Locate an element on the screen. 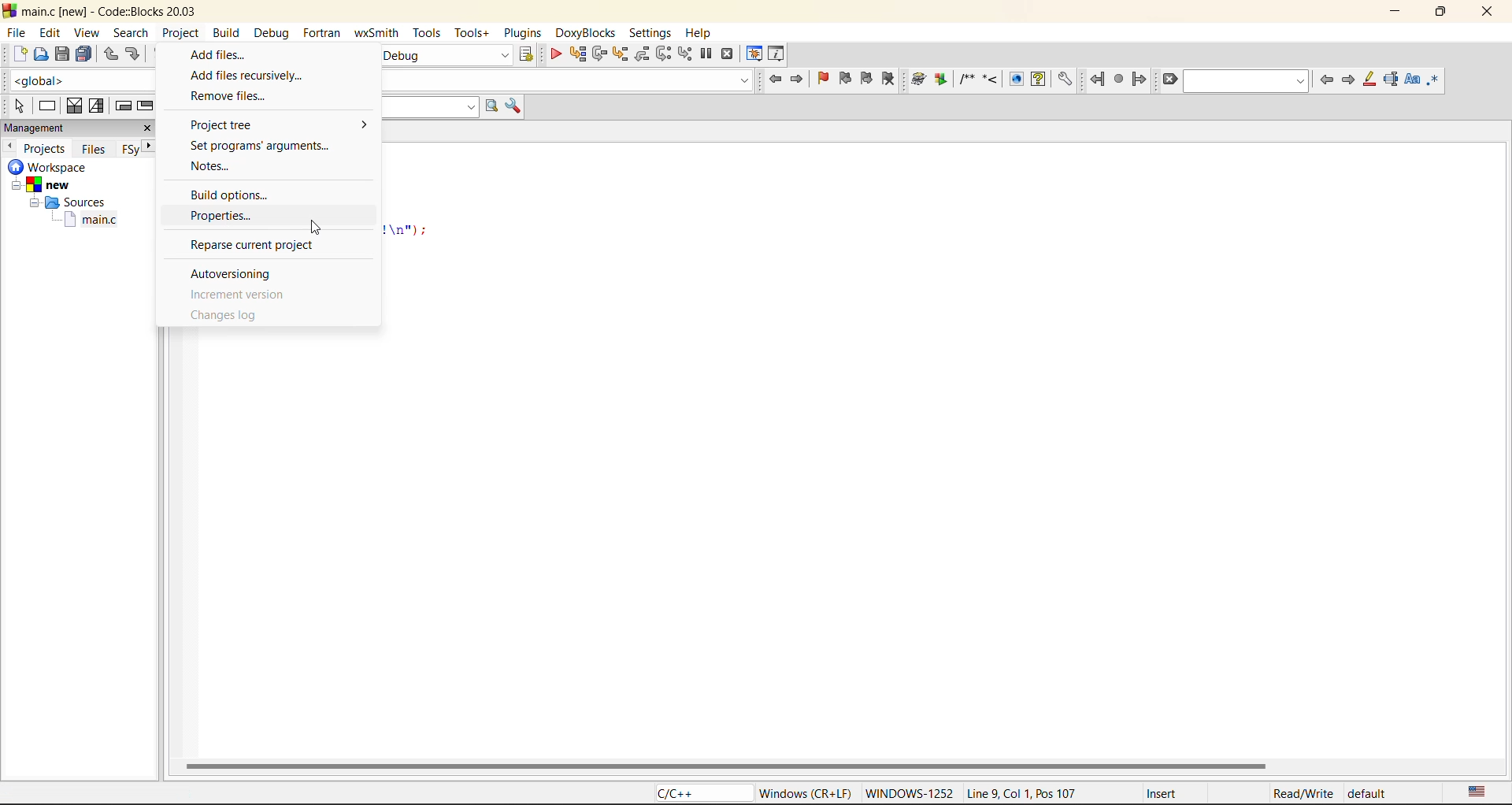  project tree is located at coordinates (280, 124).